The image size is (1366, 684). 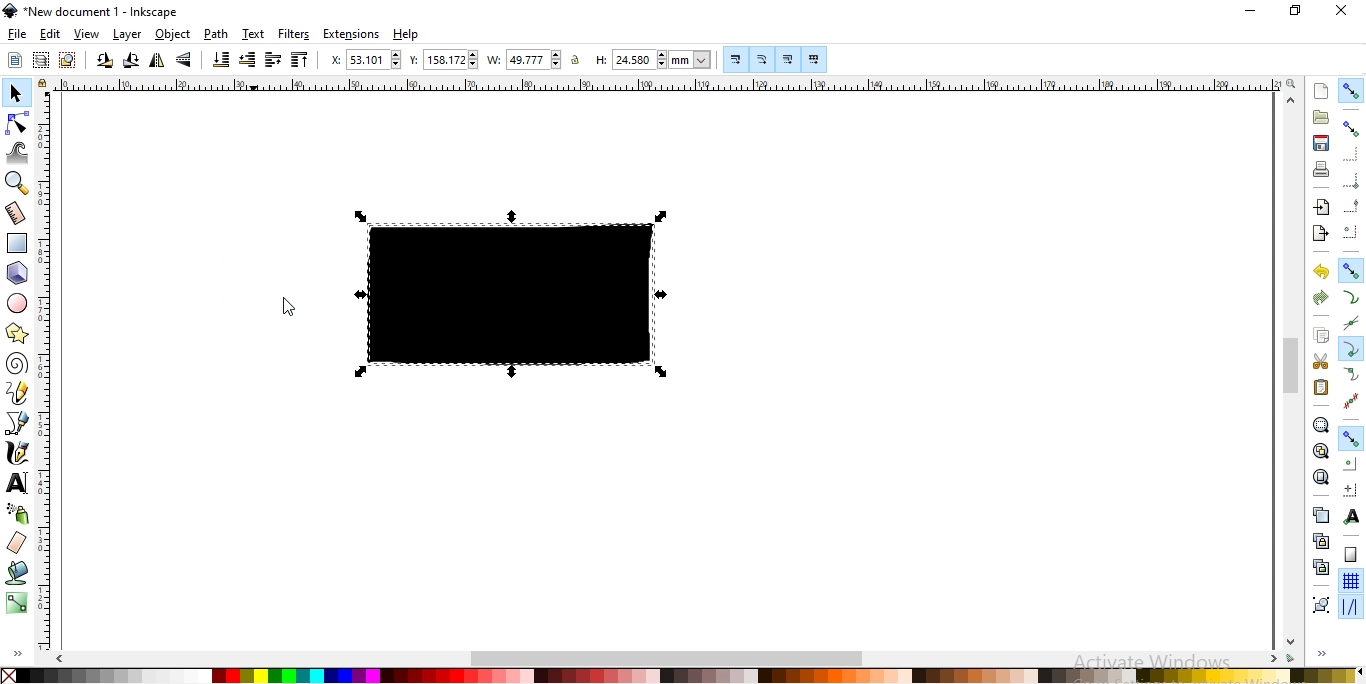 I want to click on snap centers ofbounding boxes, so click(x=1352, y=230).